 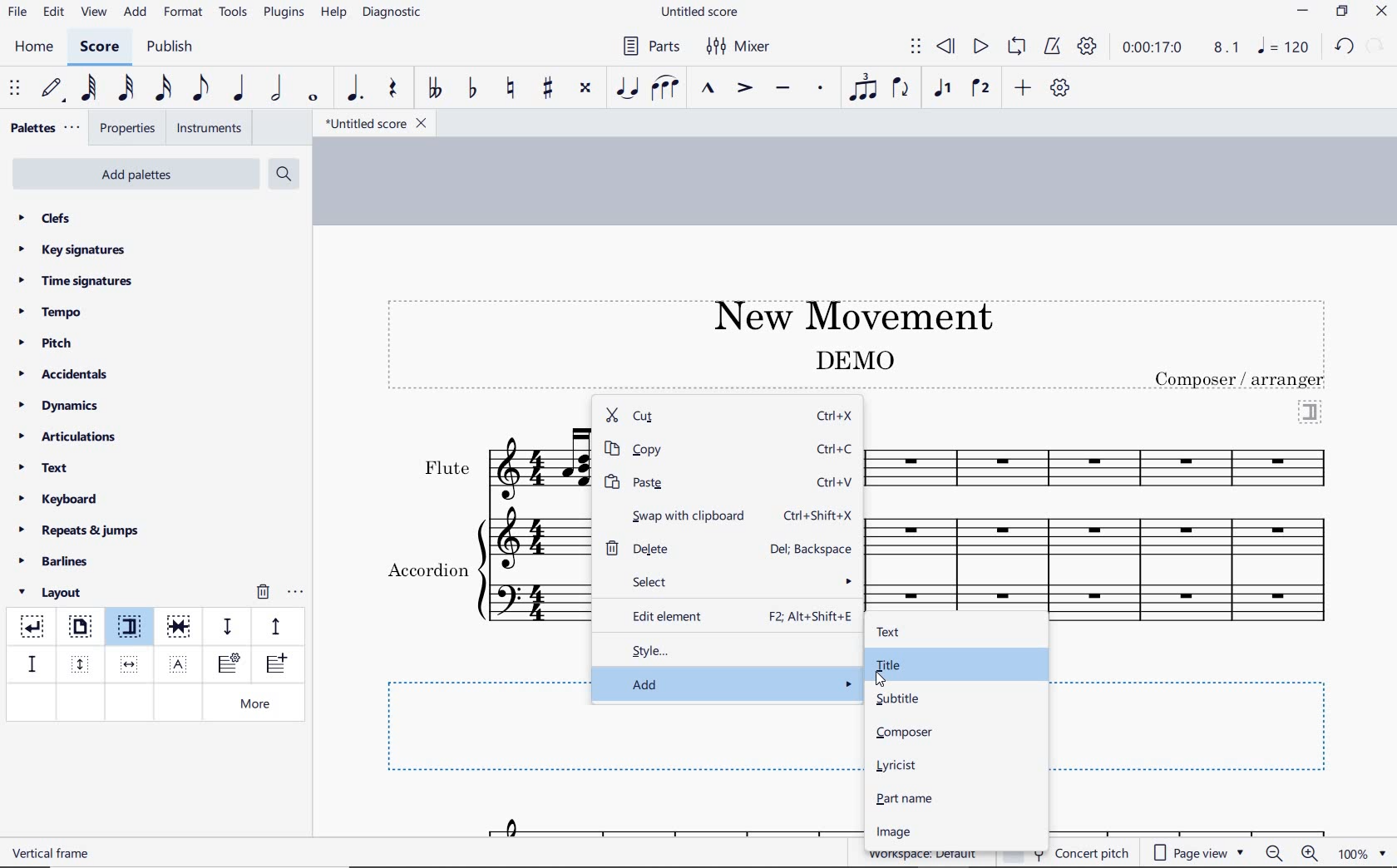 I want to click on augmentation dot, so click(x=353, y=89).